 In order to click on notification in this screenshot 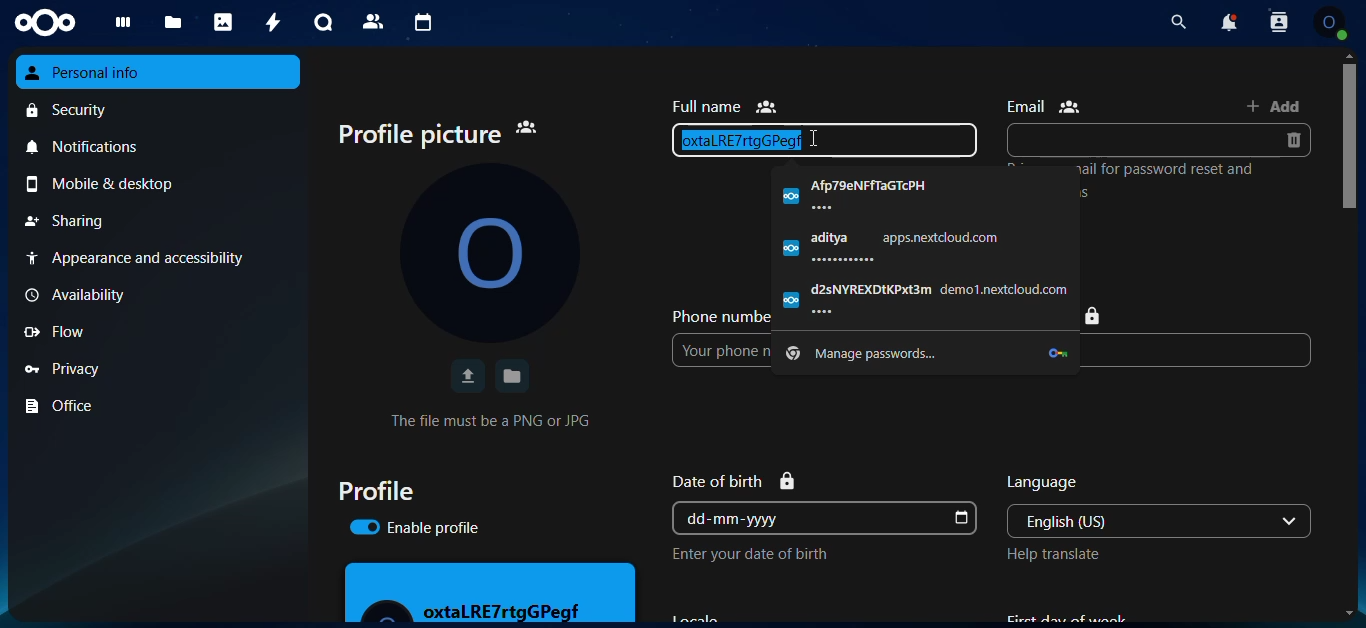, I will do `click(1230, 21)`.